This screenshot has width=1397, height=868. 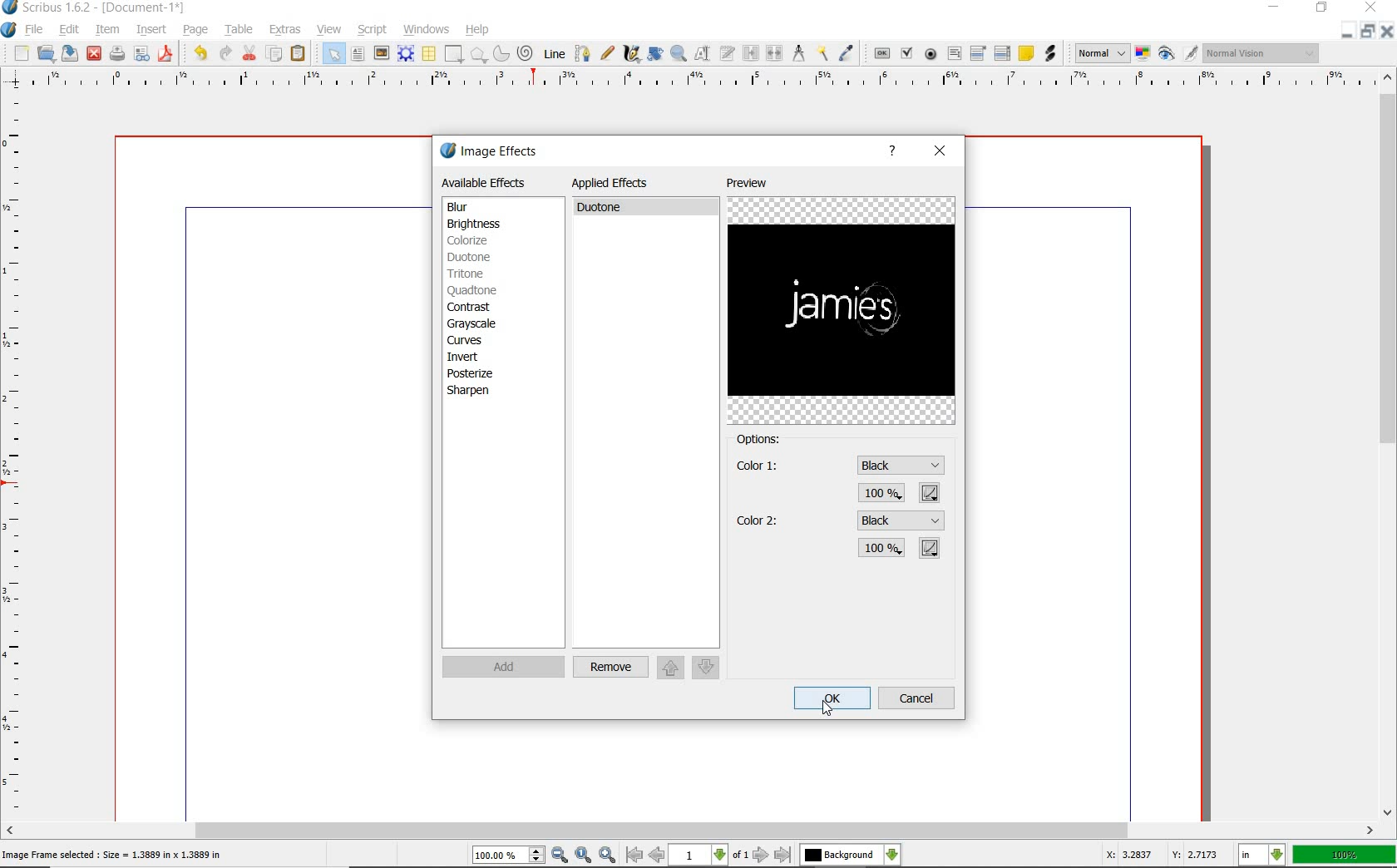 I want to click on pdf list box, so click(x=1003, y=54).